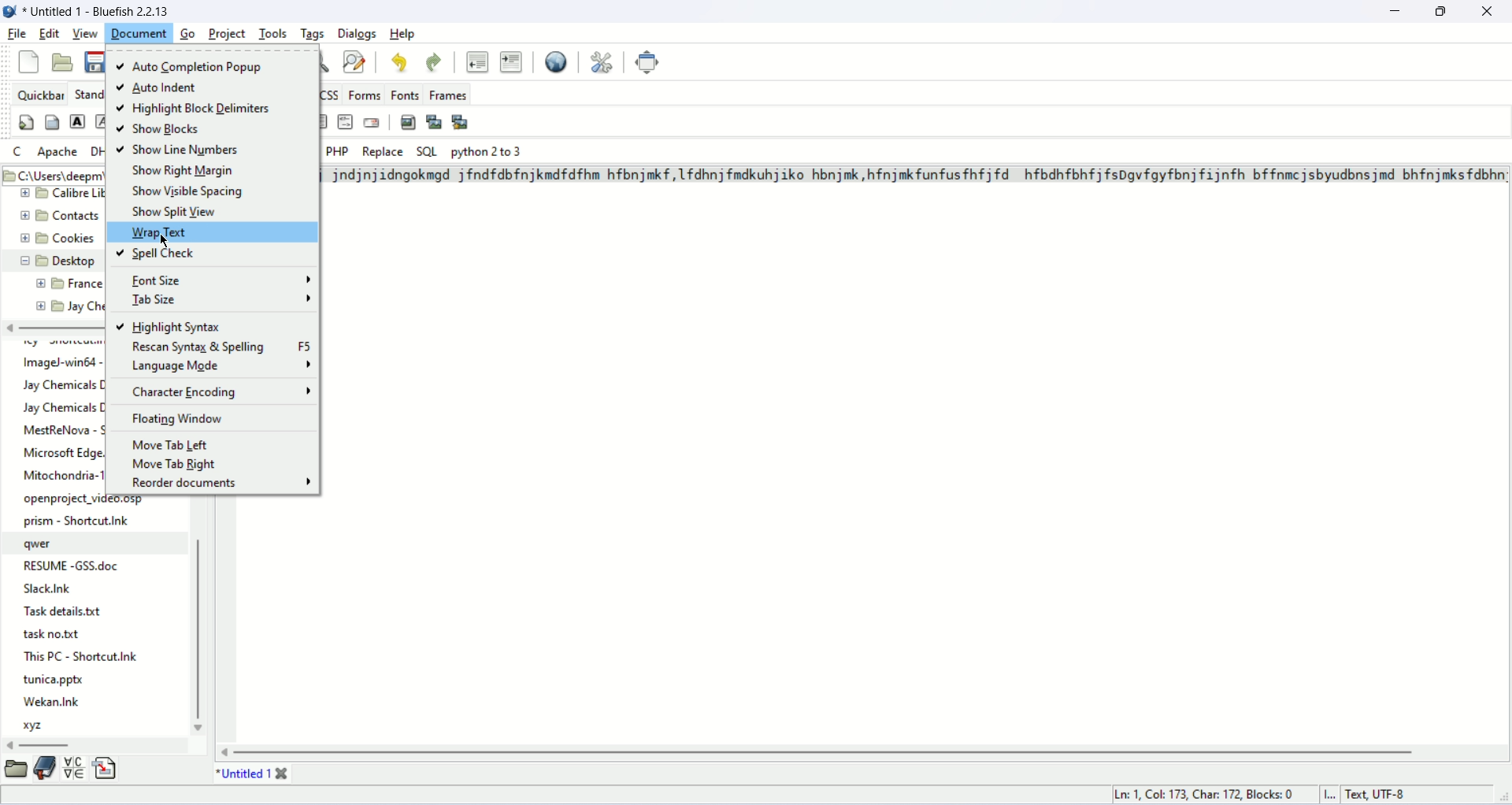 The image size is (1512, 805). Describe the element at coordinates (213, 231) in the screenshot. I see `wrap text` at that location.